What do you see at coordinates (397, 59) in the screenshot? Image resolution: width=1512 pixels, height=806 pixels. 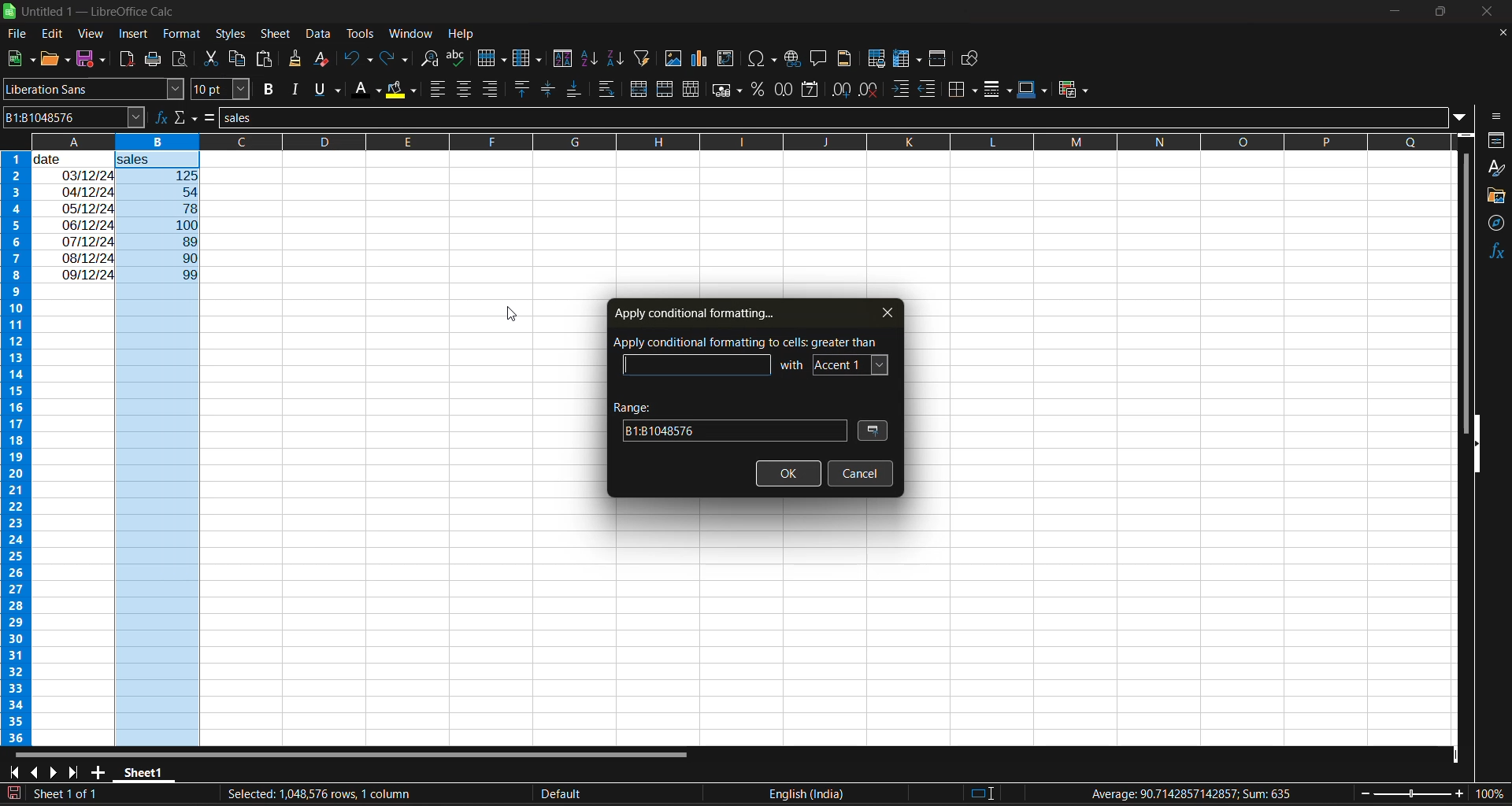 I see `redo` at bounding box center [397, 59].